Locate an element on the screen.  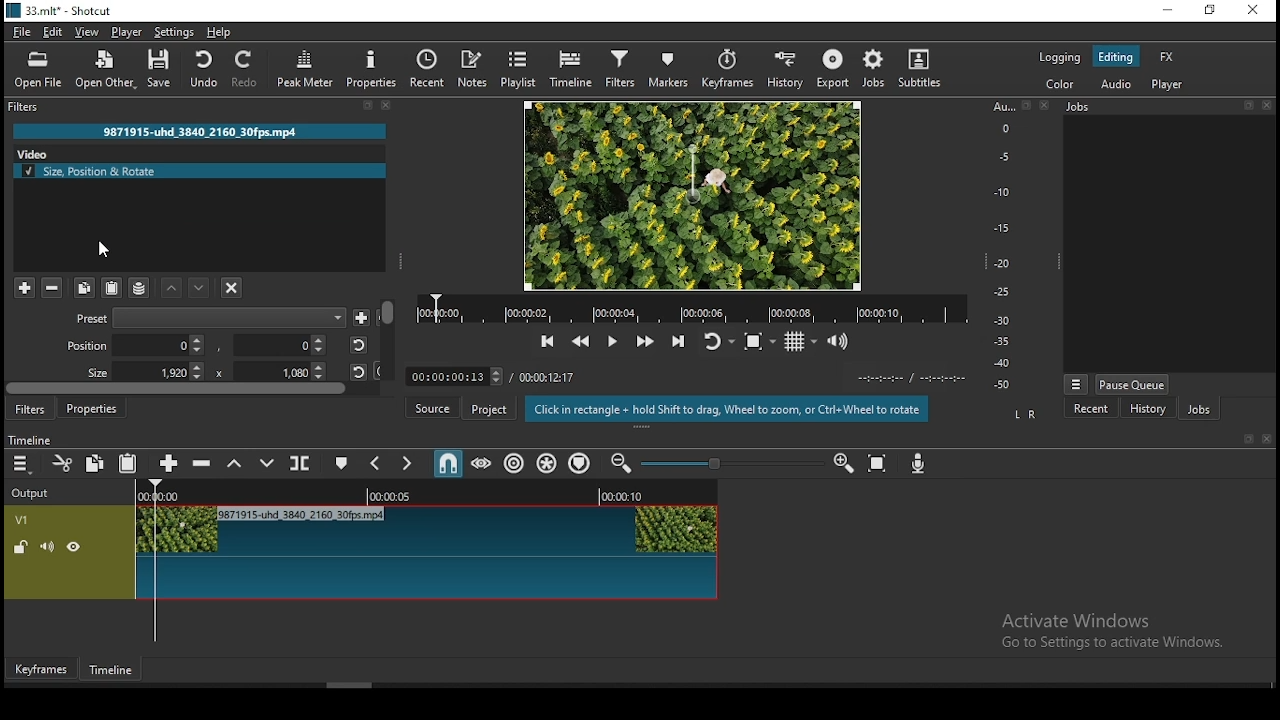
settings is located at coordinates (174, 30).